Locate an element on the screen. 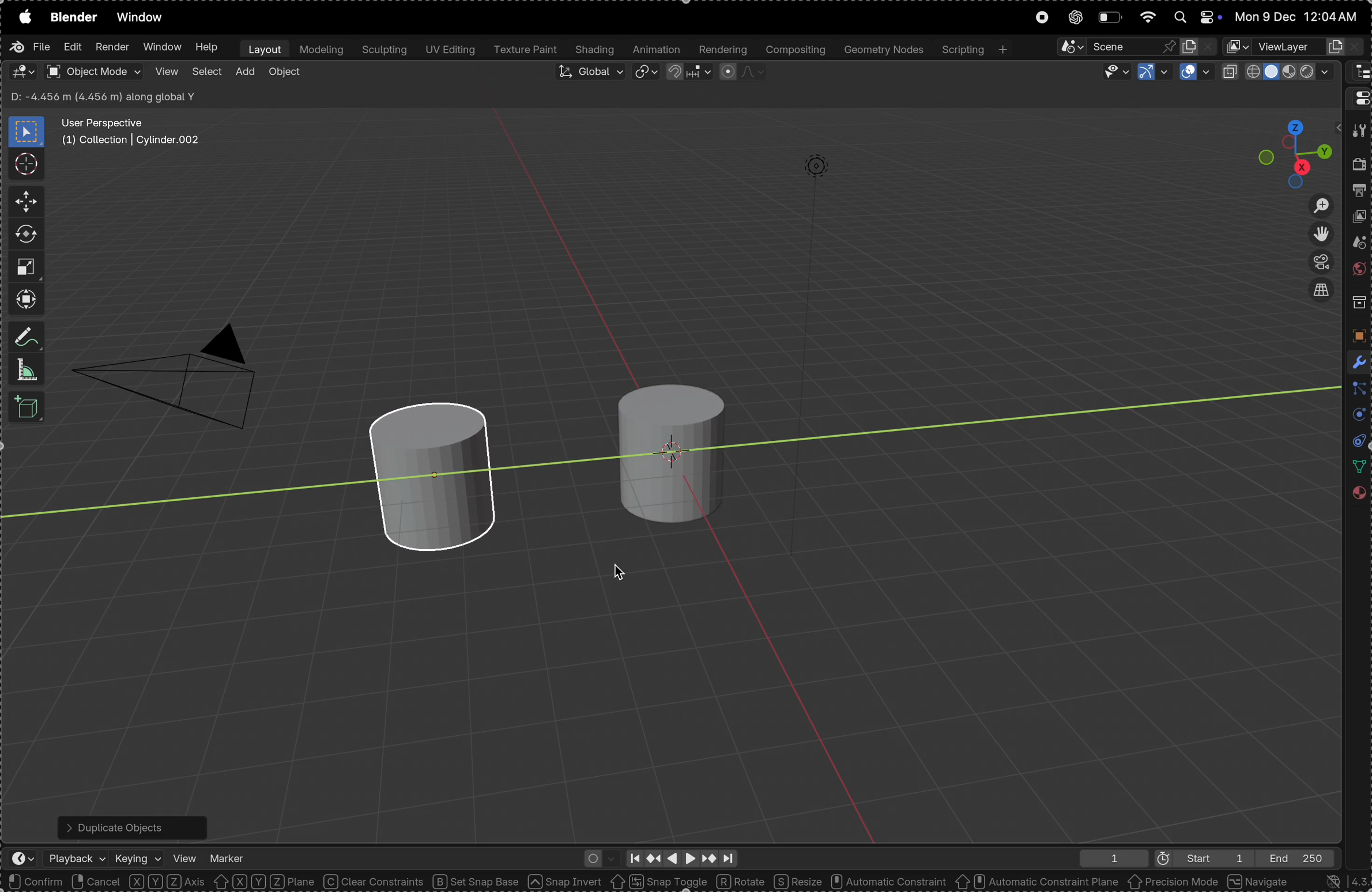 The image size is (1372, 892). User perspective is located at coordinates (133, 132).